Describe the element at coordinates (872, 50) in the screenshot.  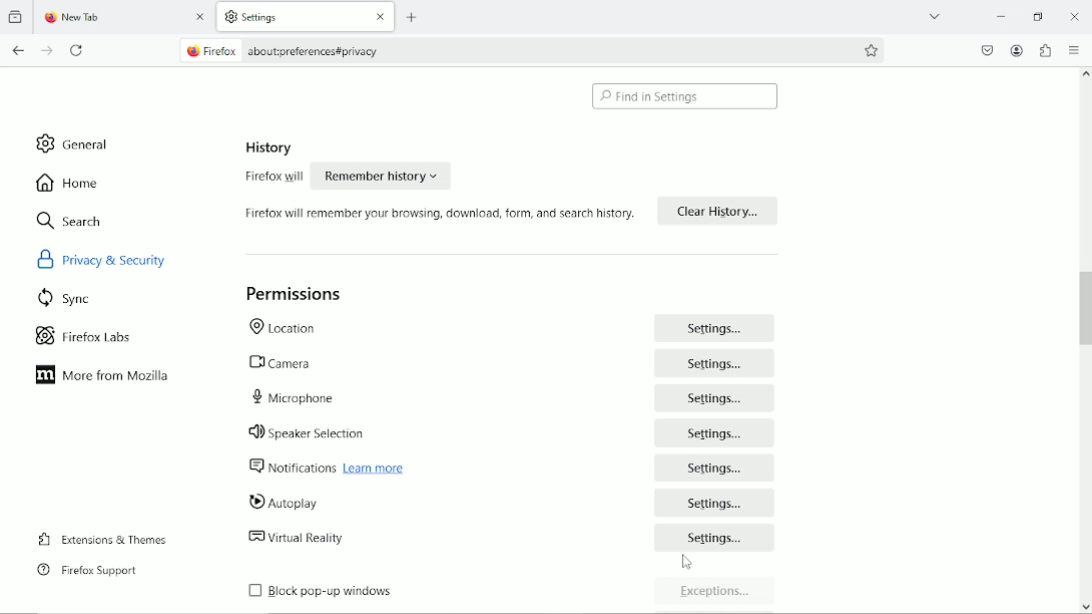
I see `bookmark this page` at that location.